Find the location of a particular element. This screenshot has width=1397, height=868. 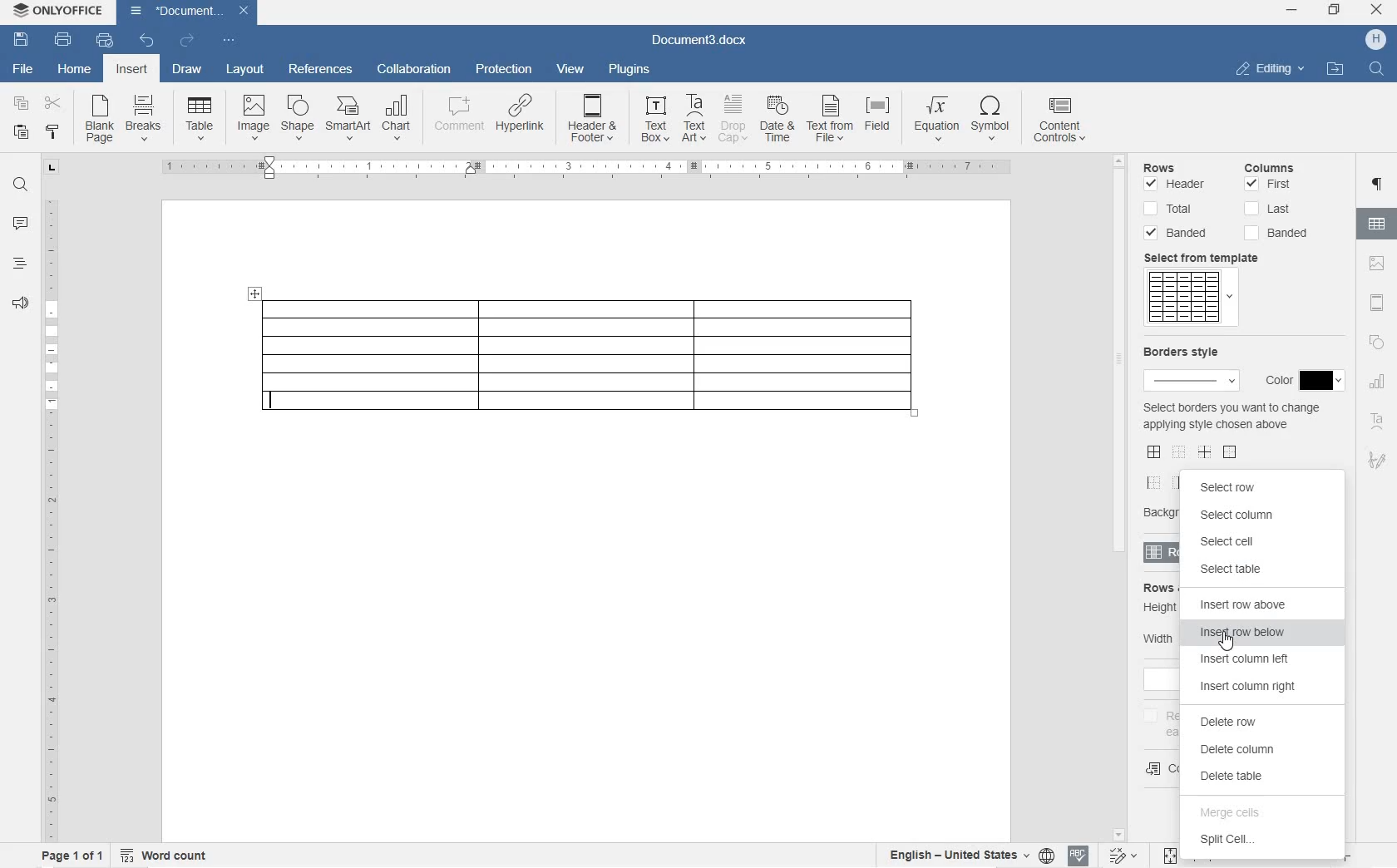

FILE is located at coordinates (25, 70).